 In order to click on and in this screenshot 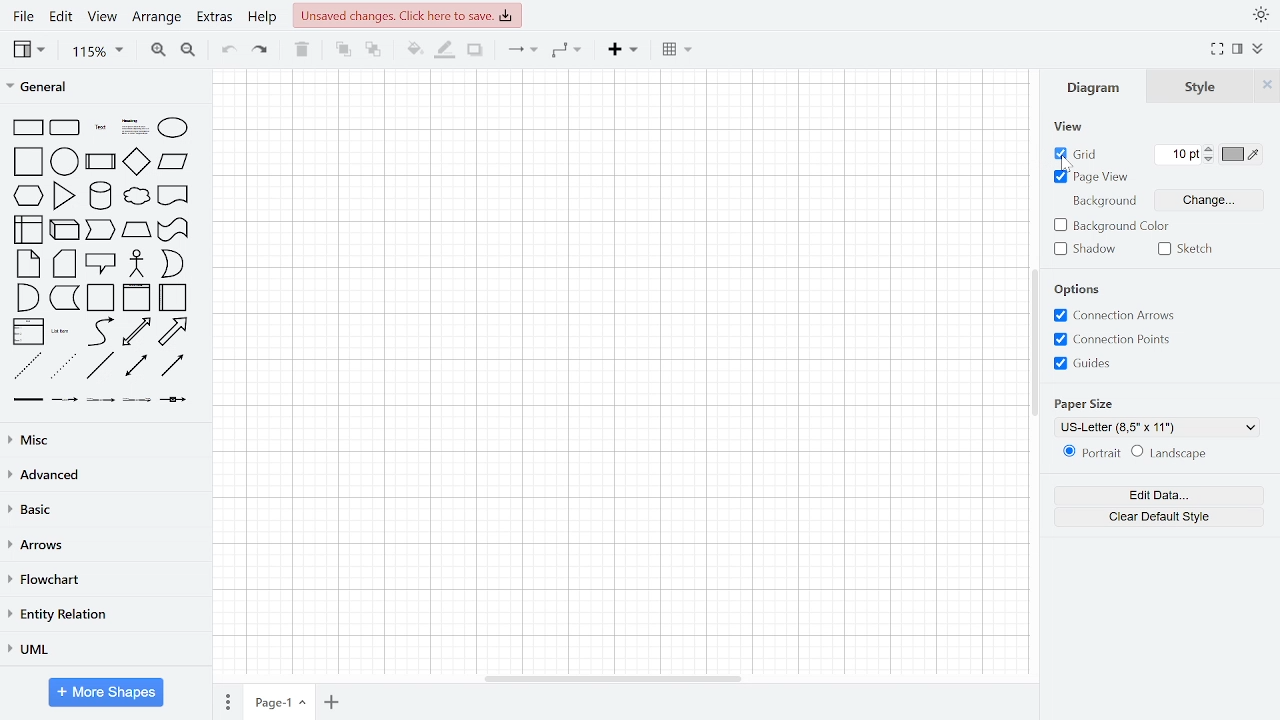, I will do `click(30, 298)`.